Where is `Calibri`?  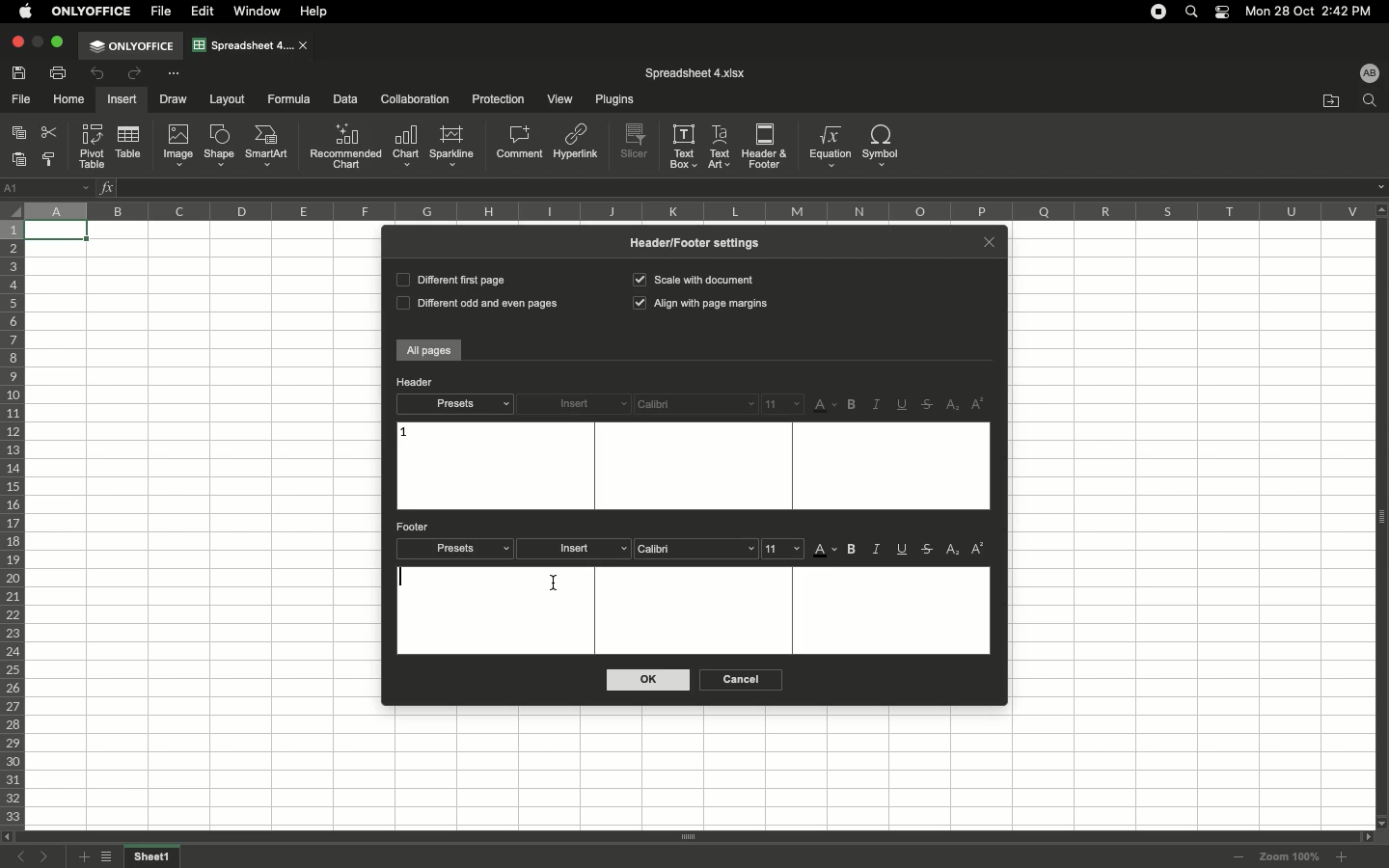 Calibri is located at coordinates (695, 404).